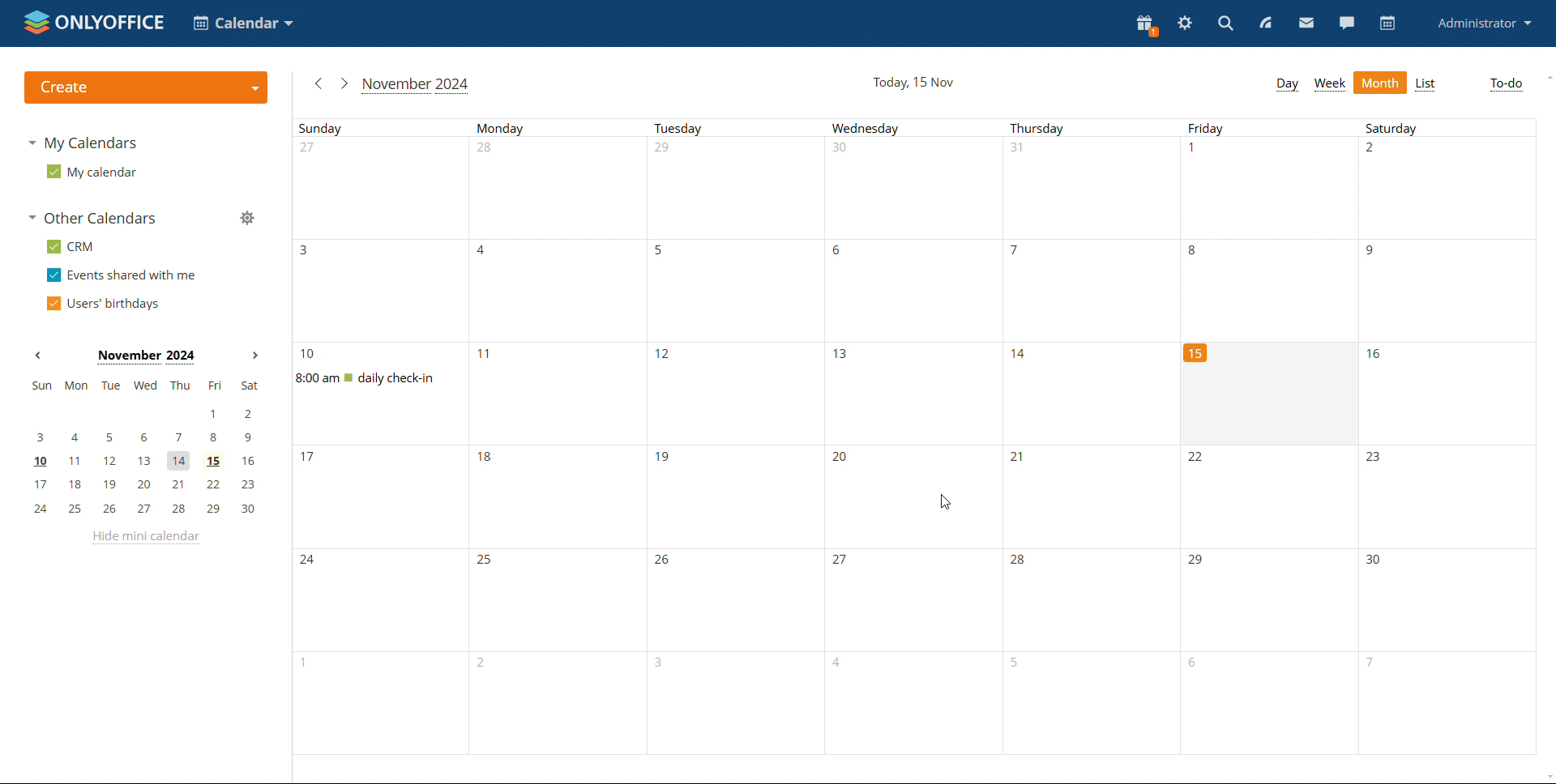 The width and height of the screenshot is (1556, 784). What do you see at coordinates (1195, 151) in the screenshot?
I see `Number` at bounding box center [1195, 151].